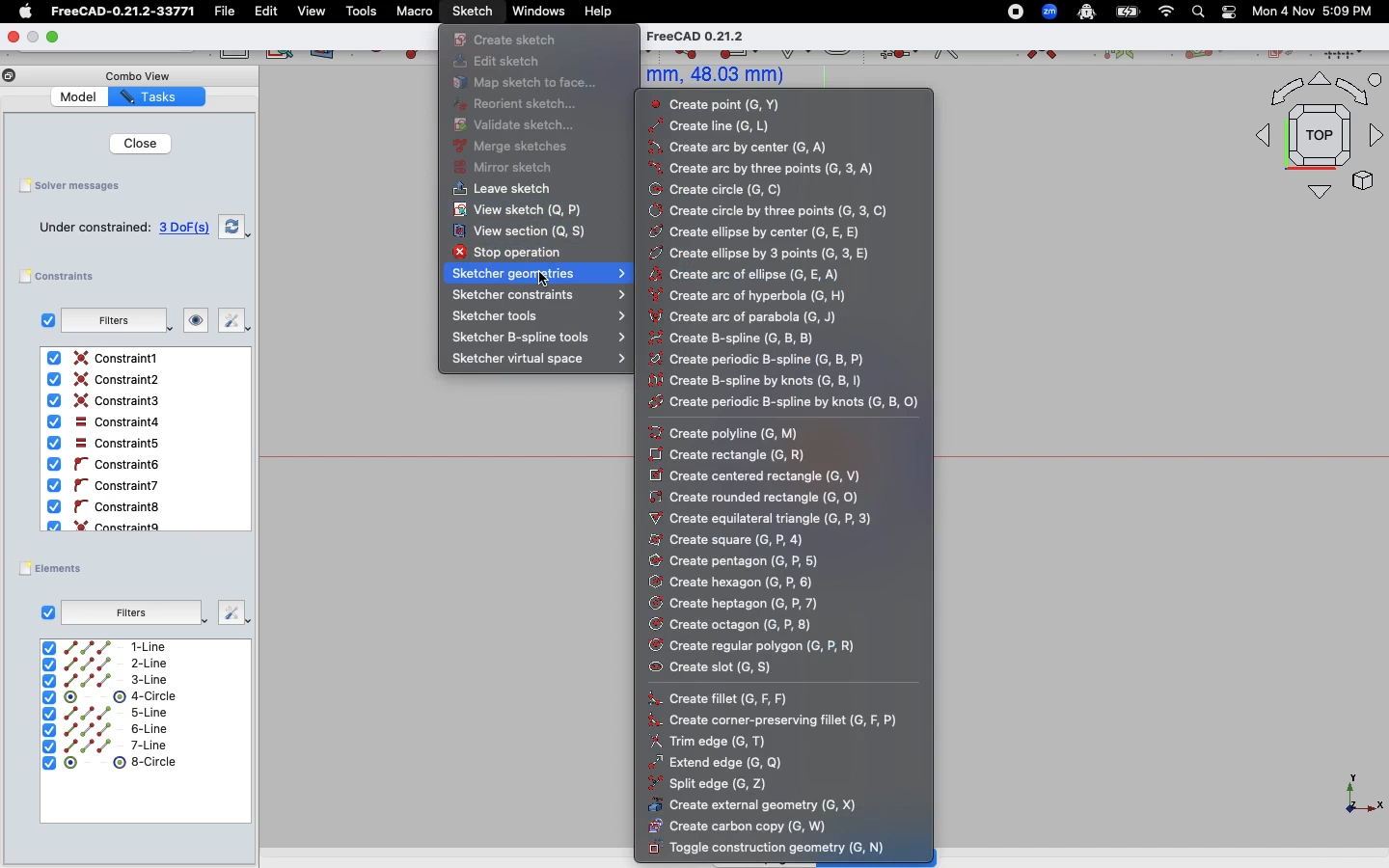  I want to click on Reorient sketch, so click(518, 104).